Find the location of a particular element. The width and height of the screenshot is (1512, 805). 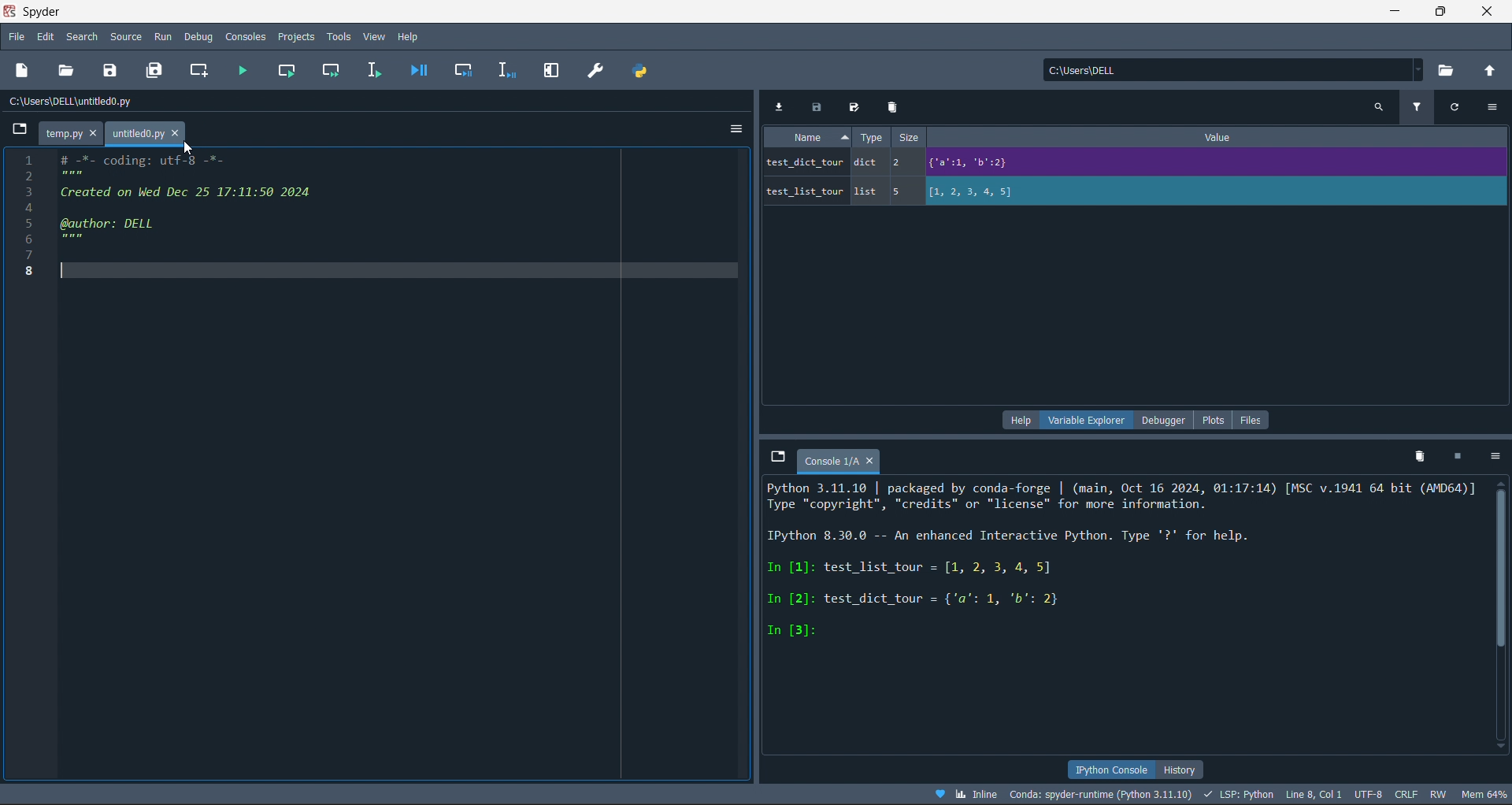

save all is located at coordinates (158, 69).